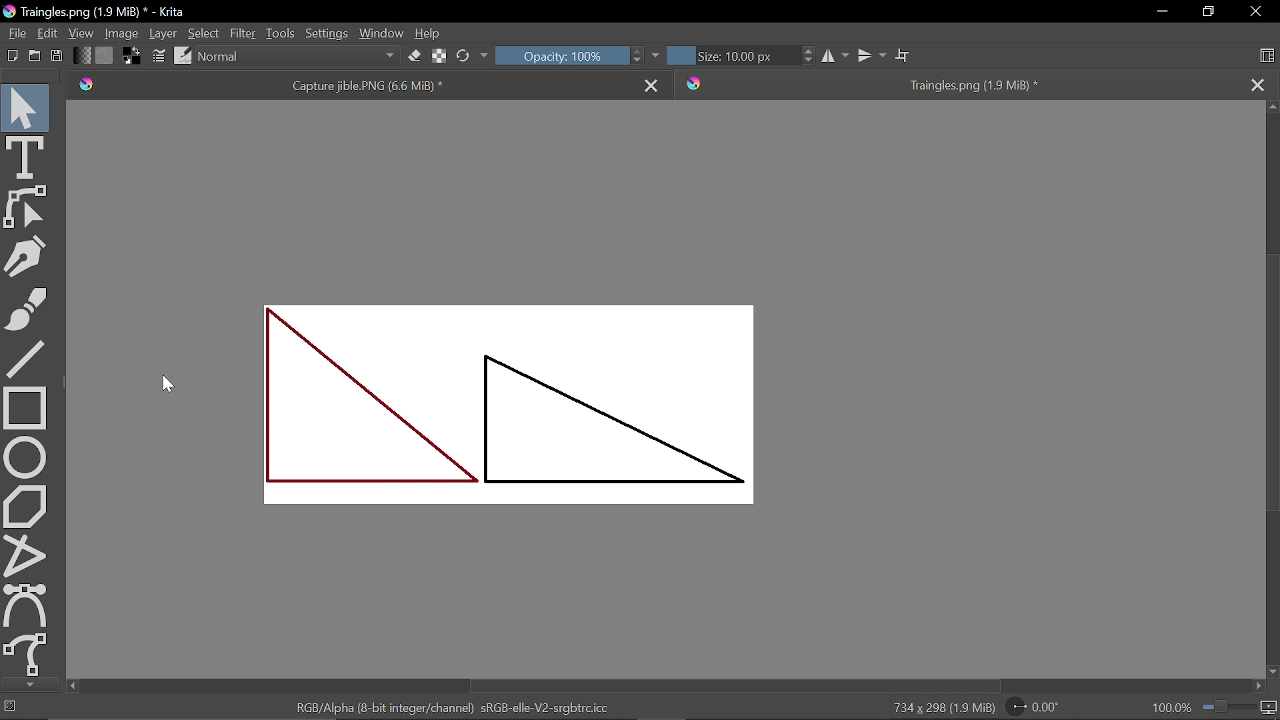 The image size is (1280, 720). Describe the element at coordinates (833, 56) in the screenshot. I see `Horizontal mirror` at that location.